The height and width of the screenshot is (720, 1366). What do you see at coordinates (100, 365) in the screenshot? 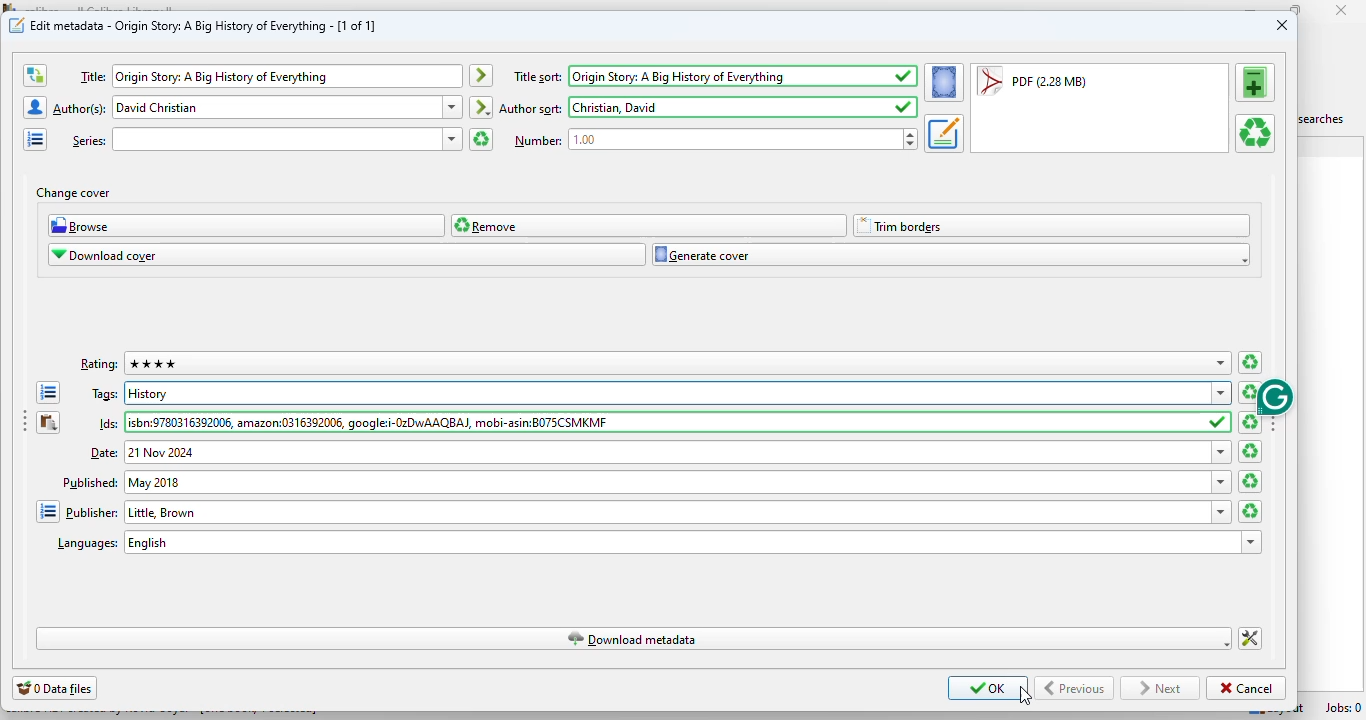
I see `text` at bounding box center [100, 365].